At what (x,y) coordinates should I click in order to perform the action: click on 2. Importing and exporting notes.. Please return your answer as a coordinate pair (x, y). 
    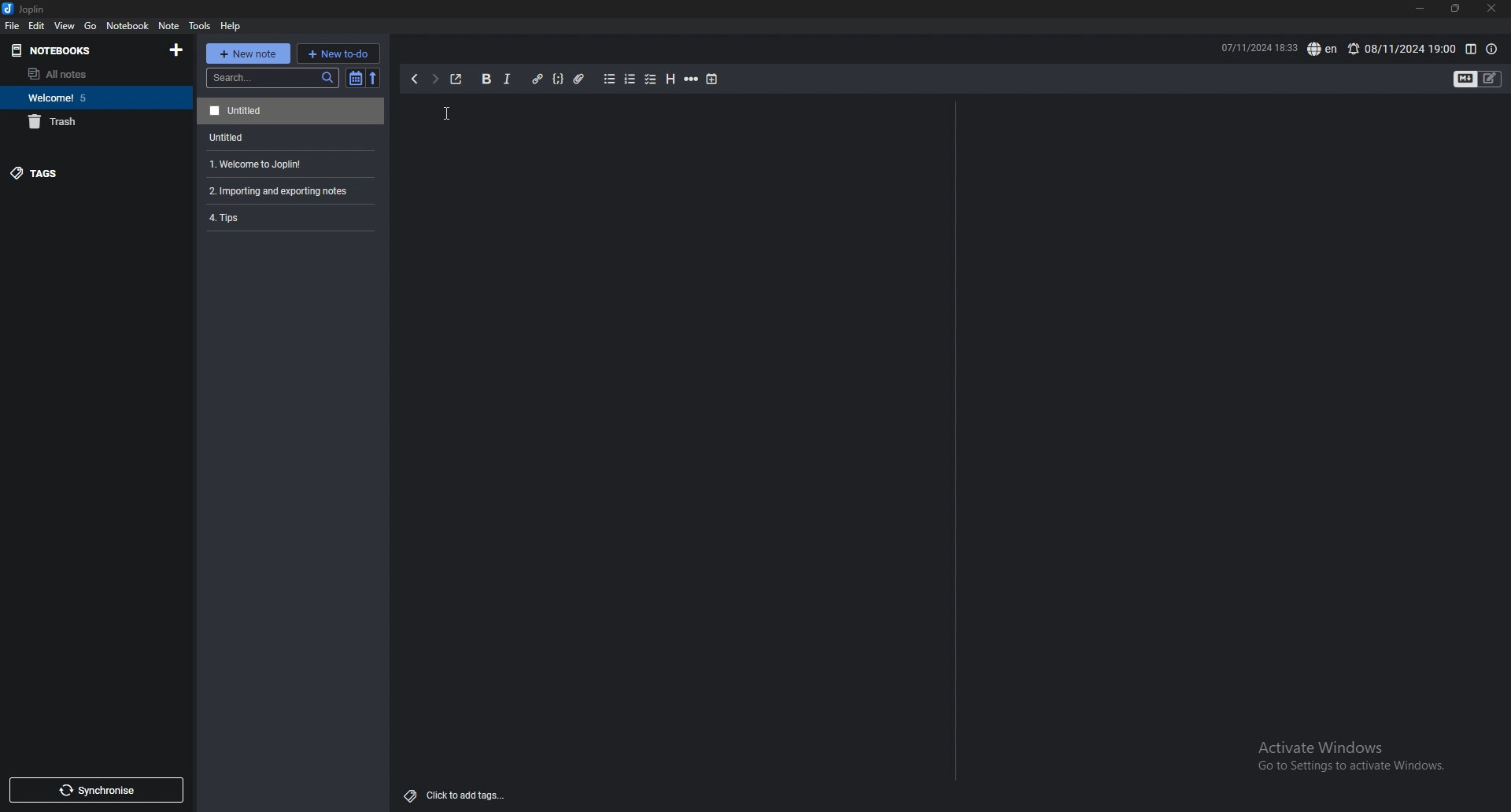
    Looking at the image, I should click on (289, 189).